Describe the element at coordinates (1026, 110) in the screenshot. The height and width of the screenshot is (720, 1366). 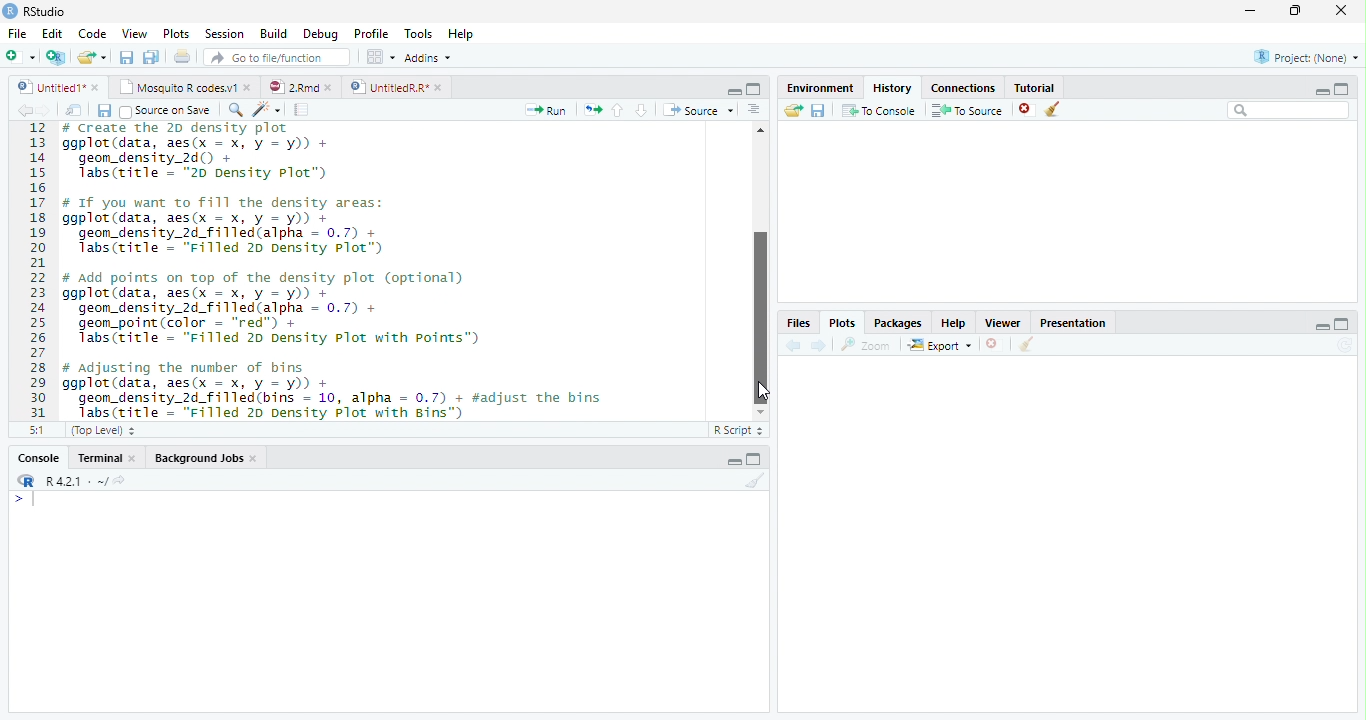
I see `close` at that location.